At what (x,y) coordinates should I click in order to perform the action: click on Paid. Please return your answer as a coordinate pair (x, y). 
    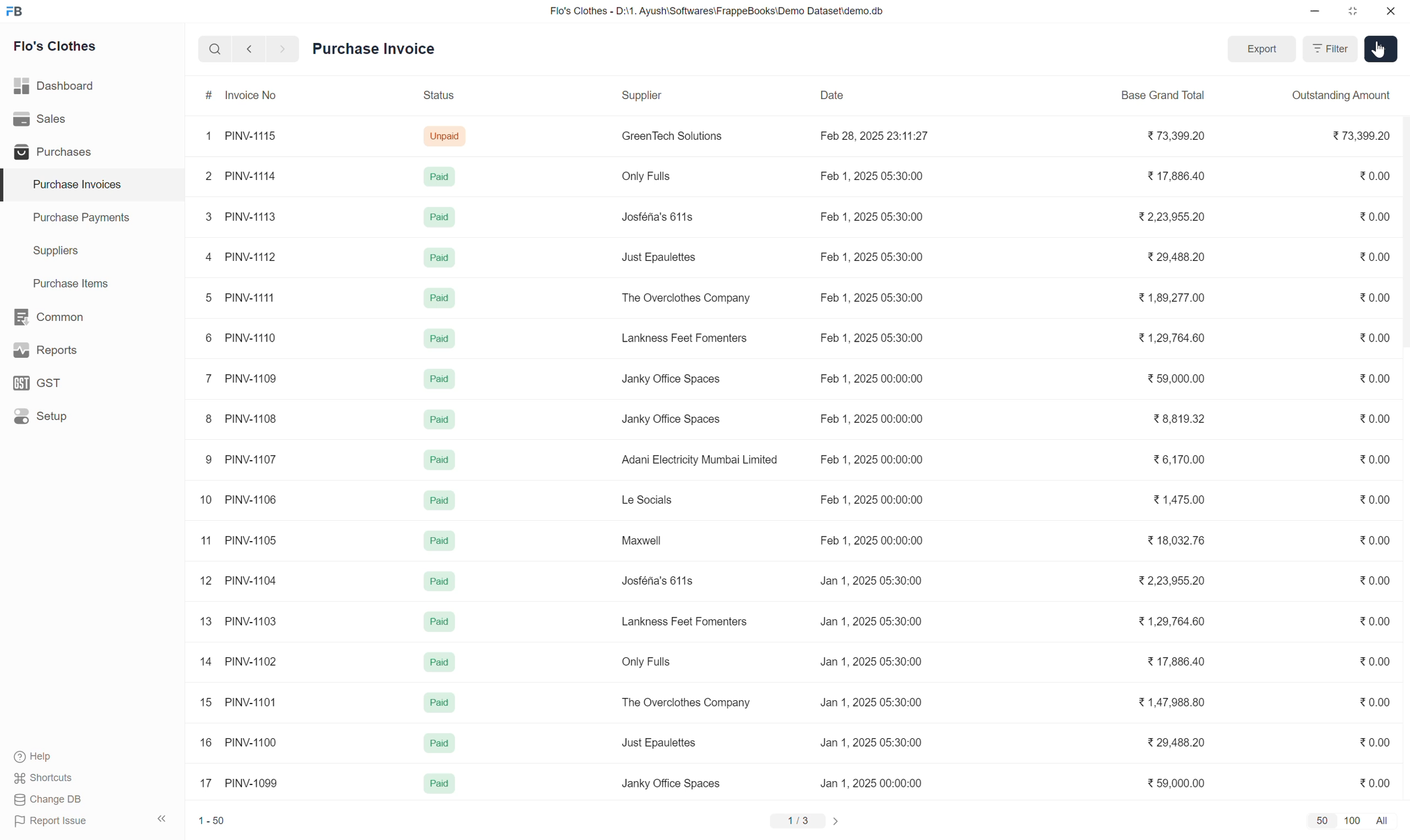
    Looking at the image, I should click on (435, 218).